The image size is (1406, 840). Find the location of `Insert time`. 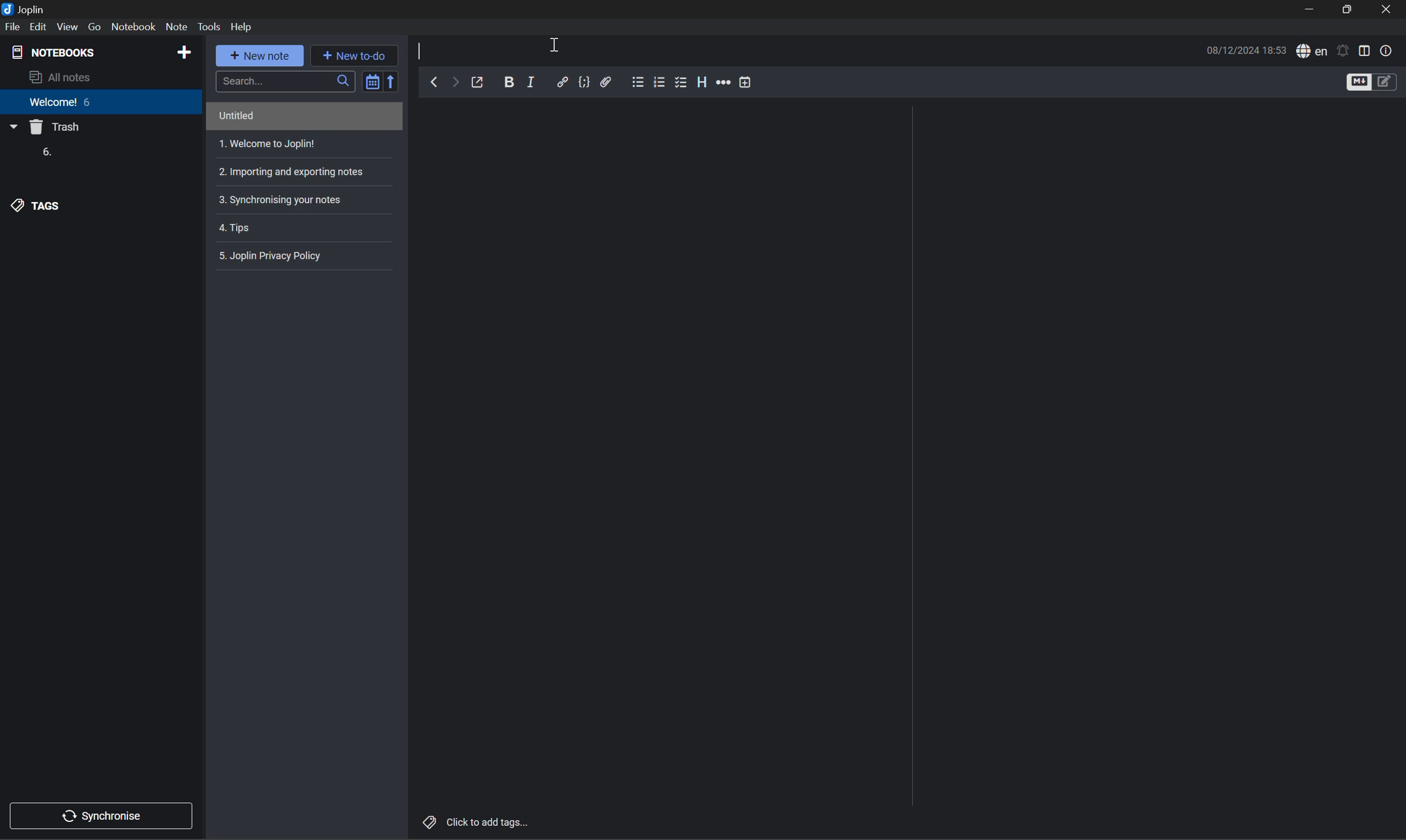

Insert time is located at coordinates (743, 82).